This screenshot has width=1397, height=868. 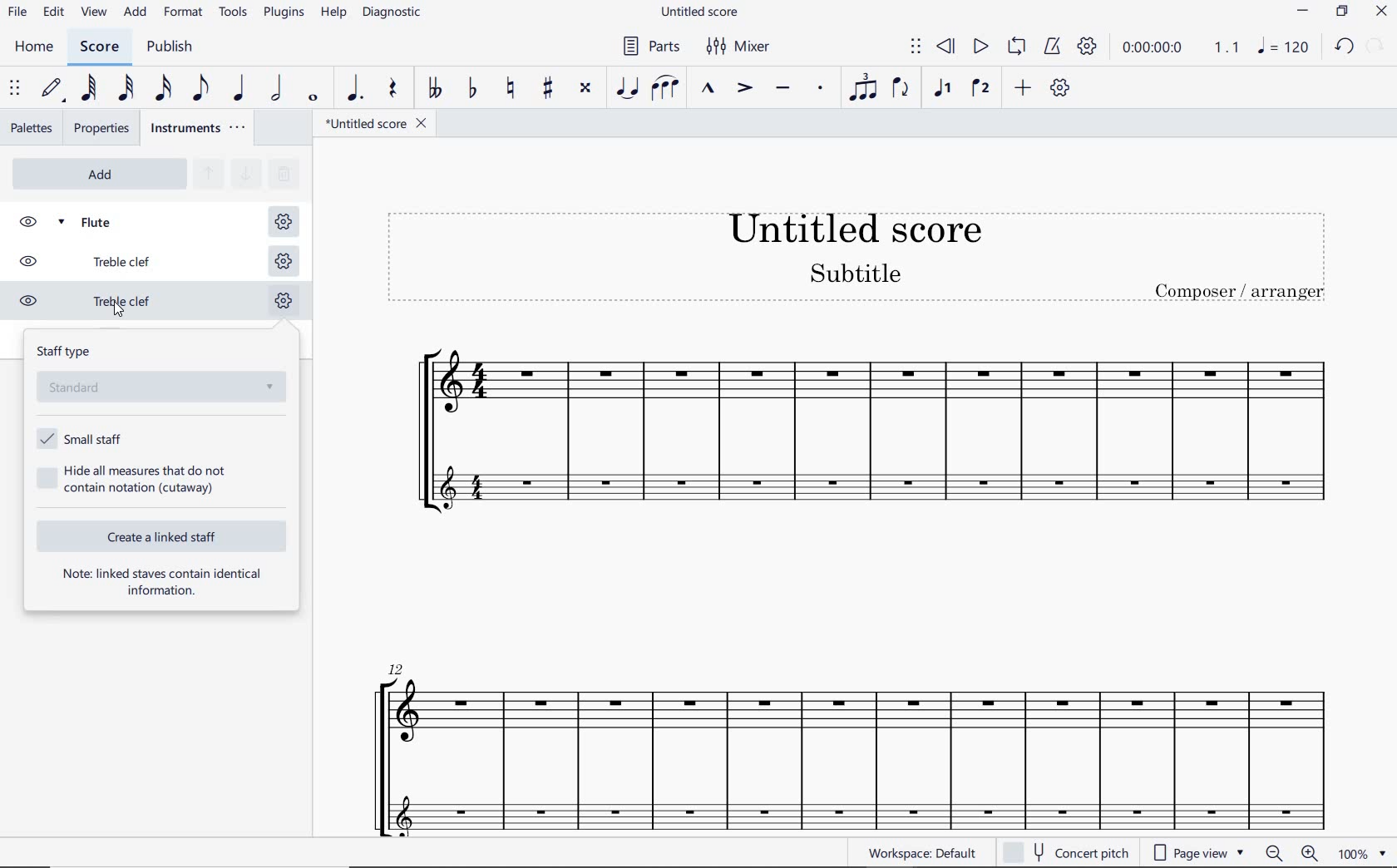 I want to click on rest, so click(x=391, y=91).